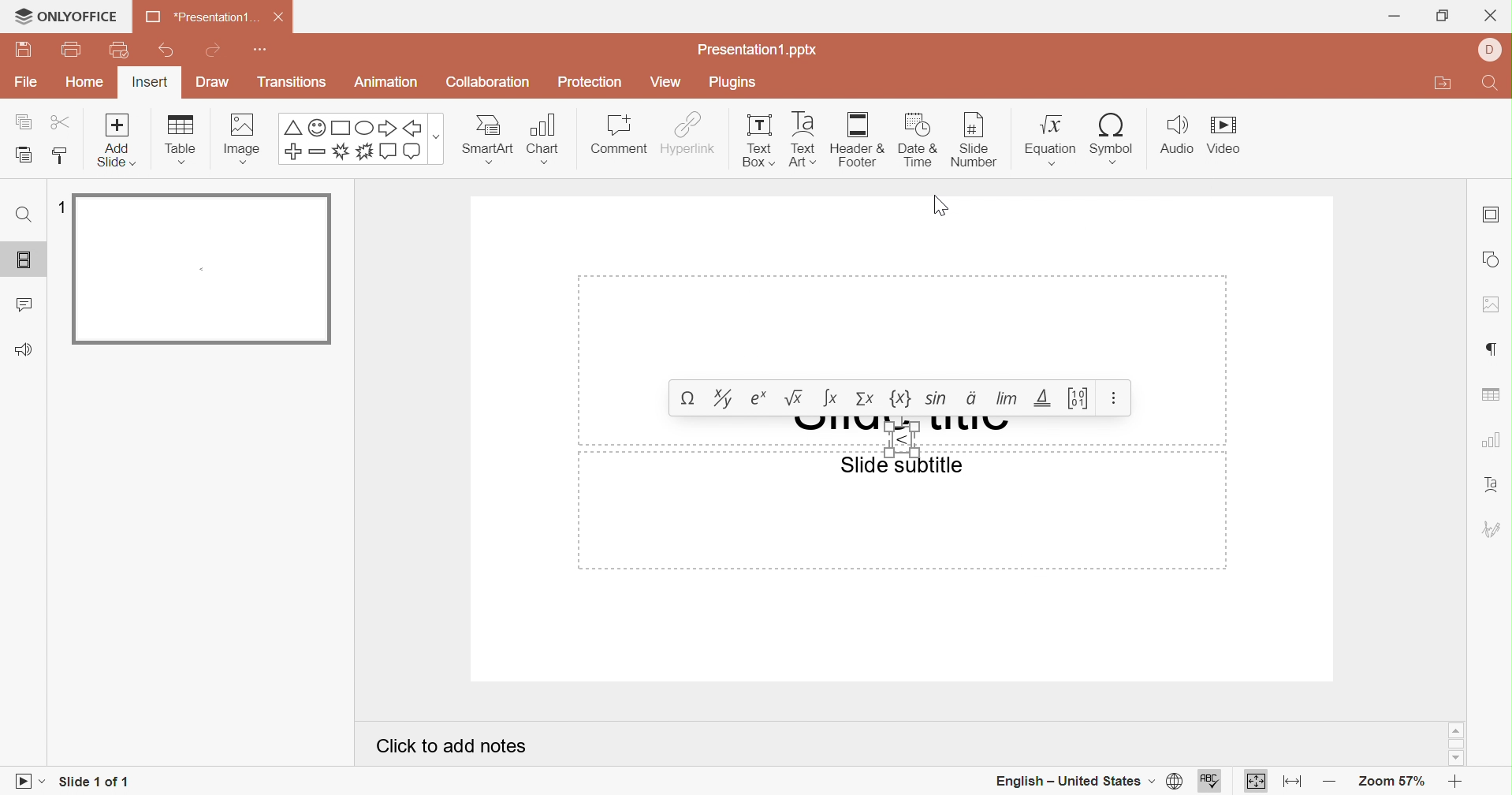  What do you see at coordinates (25, 121) in the screenshot?
I see `Copy` at bounding box center [25, 121].